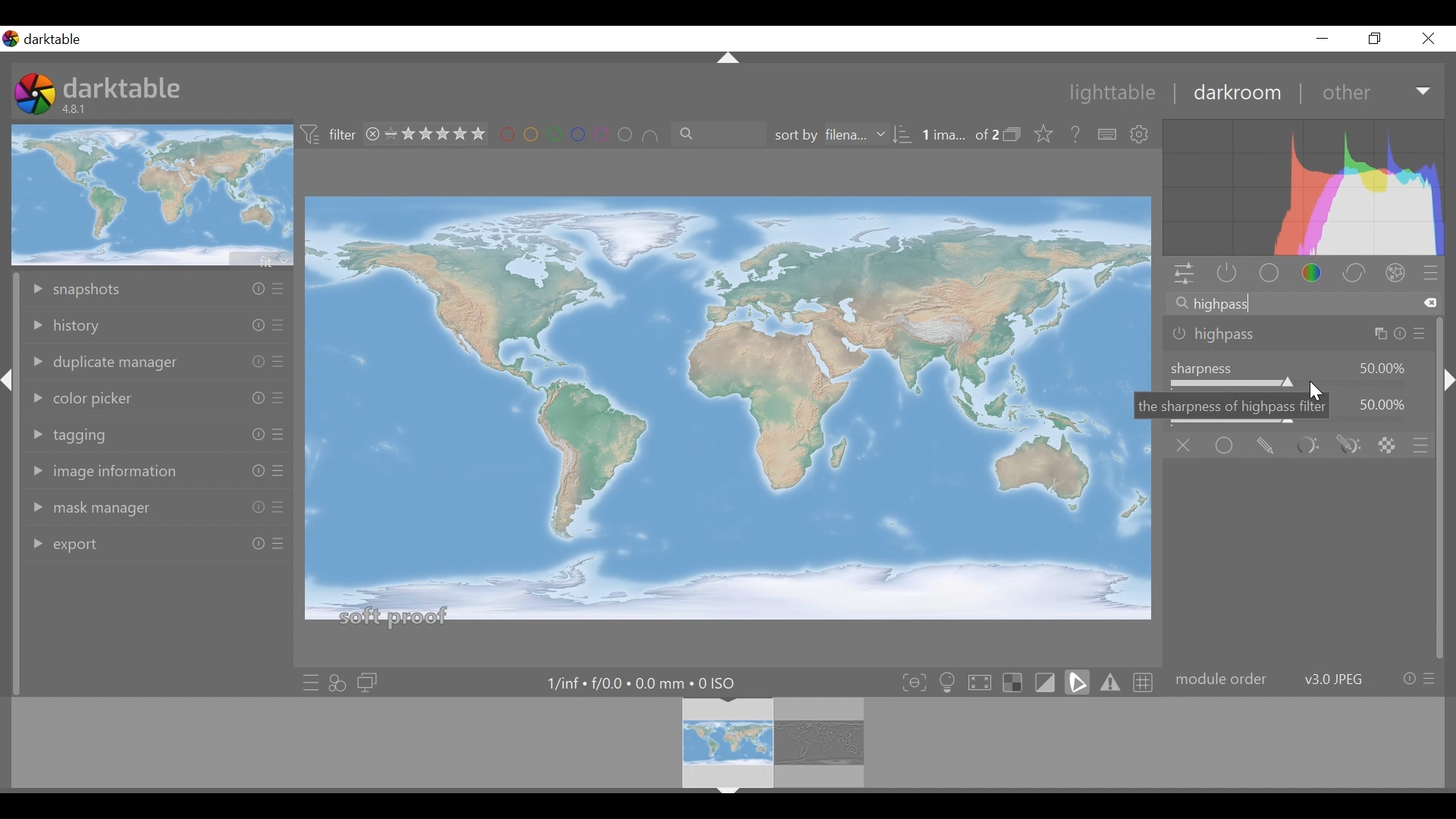 Image resolution: width=1456 pixels, height=819 pixels. I want to click on Cursor, so click(1313, 393).